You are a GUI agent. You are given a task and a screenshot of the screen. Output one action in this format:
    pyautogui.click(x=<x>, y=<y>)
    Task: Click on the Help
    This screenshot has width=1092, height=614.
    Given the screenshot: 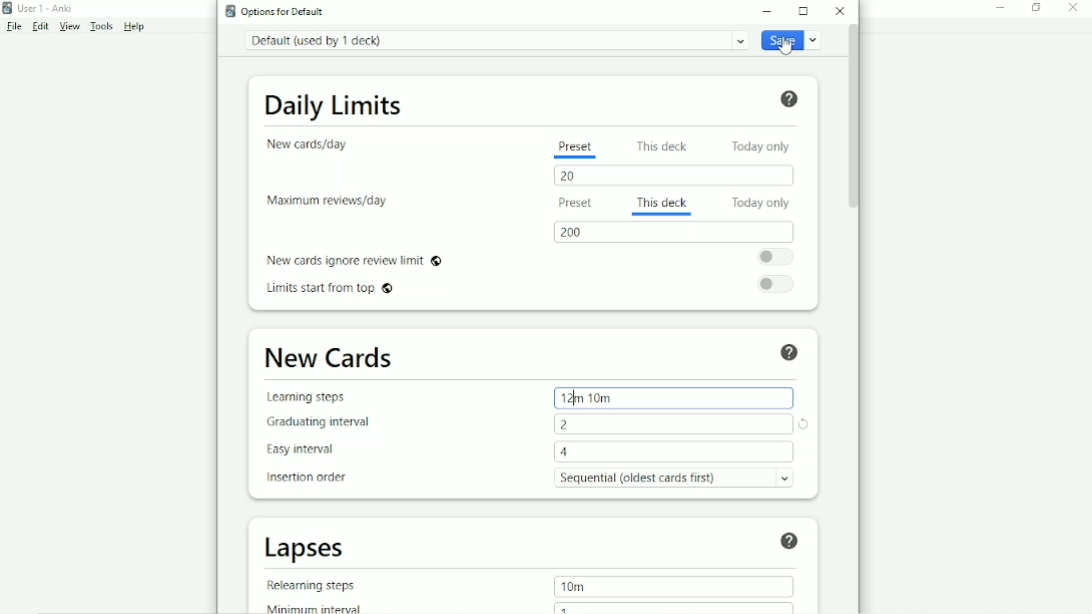 What is the action you would take?
    pyautogui.click(x=787, y=98)
    